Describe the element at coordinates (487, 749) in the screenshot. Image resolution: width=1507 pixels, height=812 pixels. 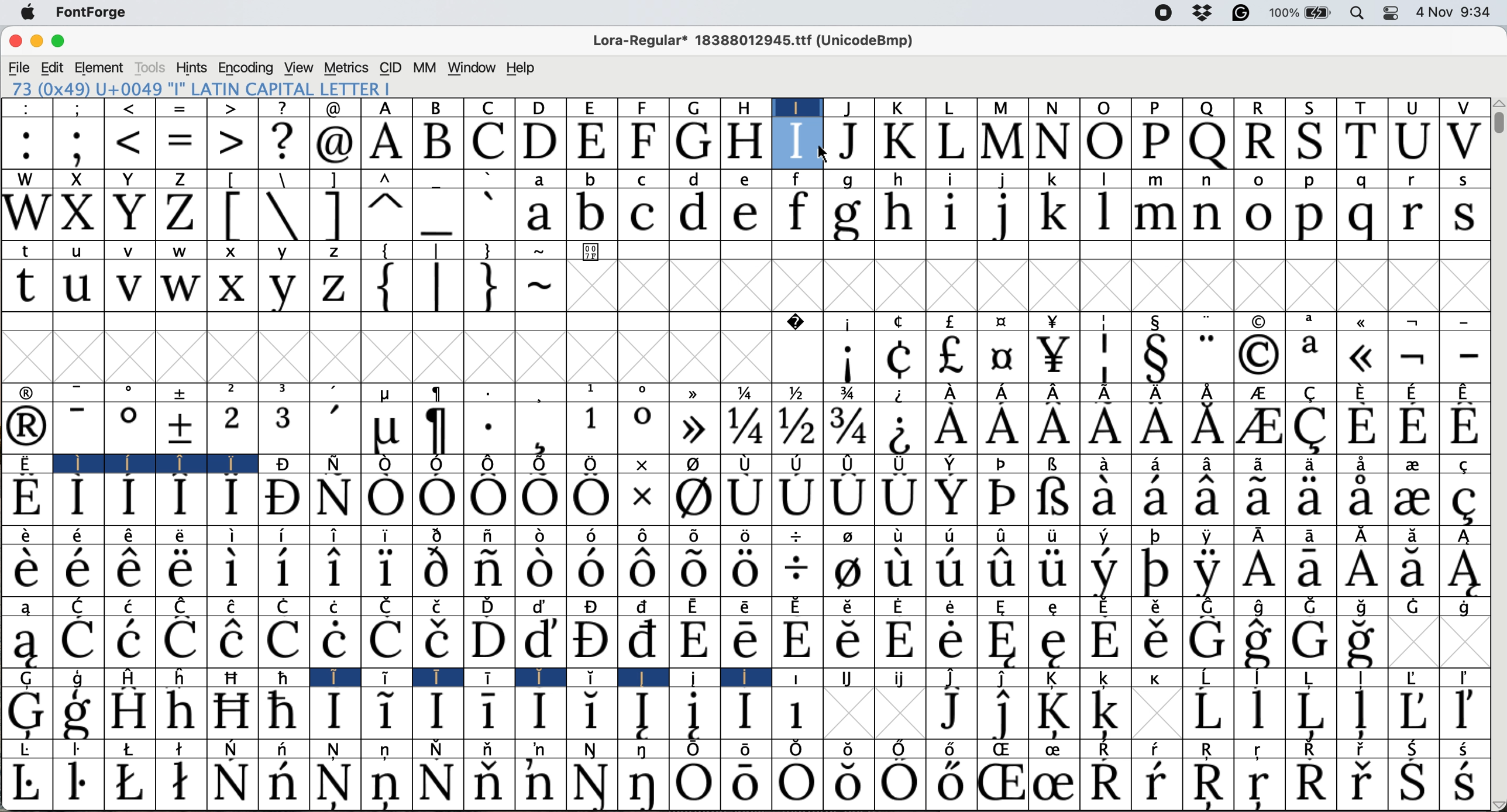
I see `Symbol` at that location.